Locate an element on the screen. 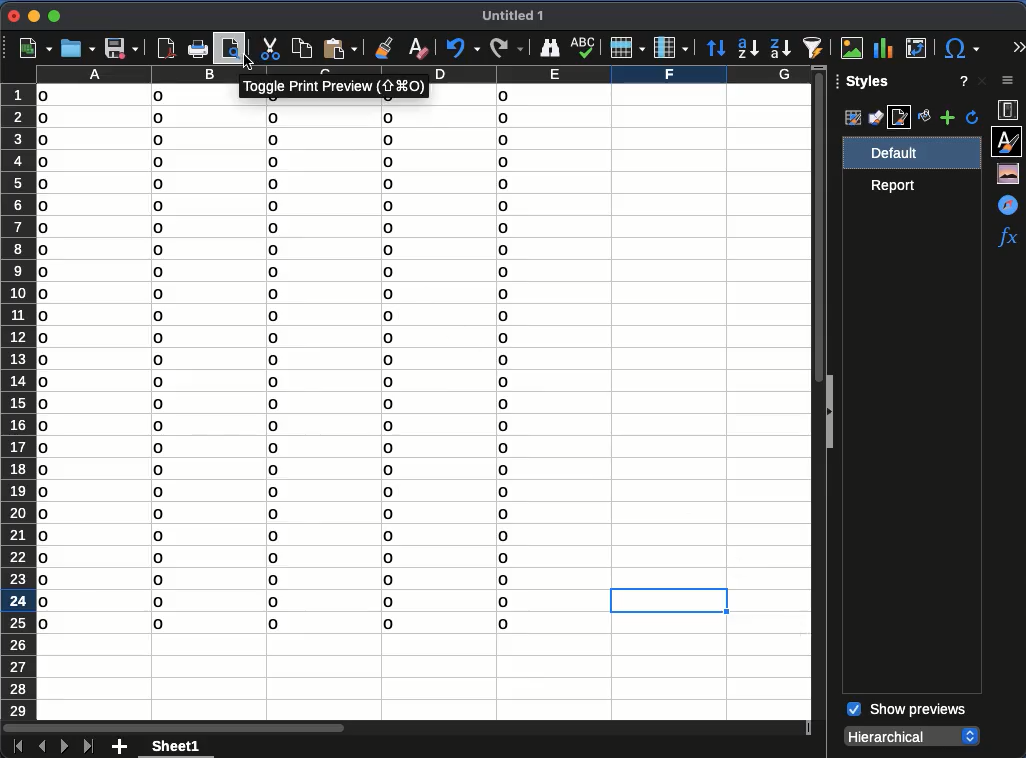 Image resolution: width=1026 pixels, height=758 pixels. add style is located at coordinates (948, 119).